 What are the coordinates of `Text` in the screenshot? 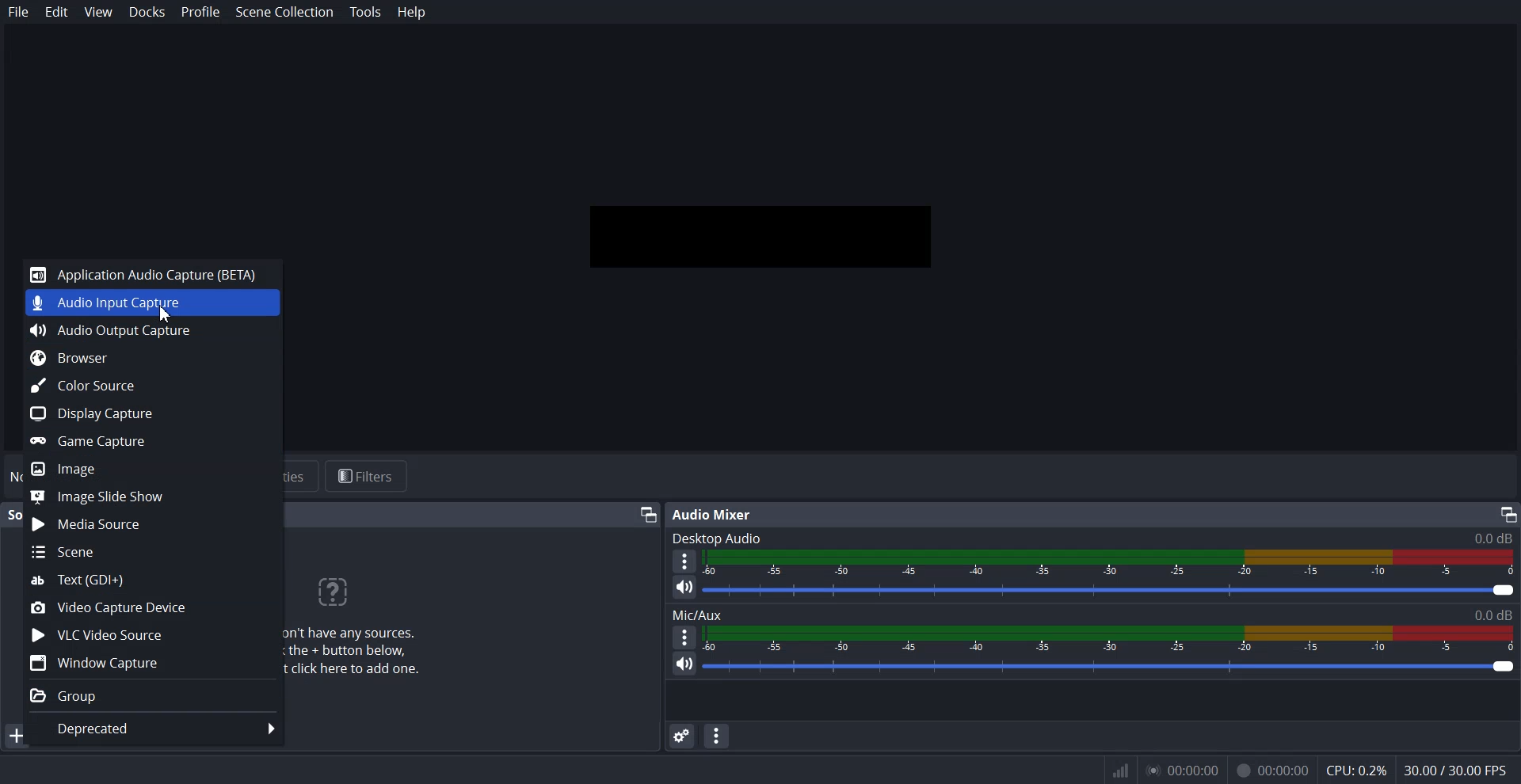 It's located at (711, 515).